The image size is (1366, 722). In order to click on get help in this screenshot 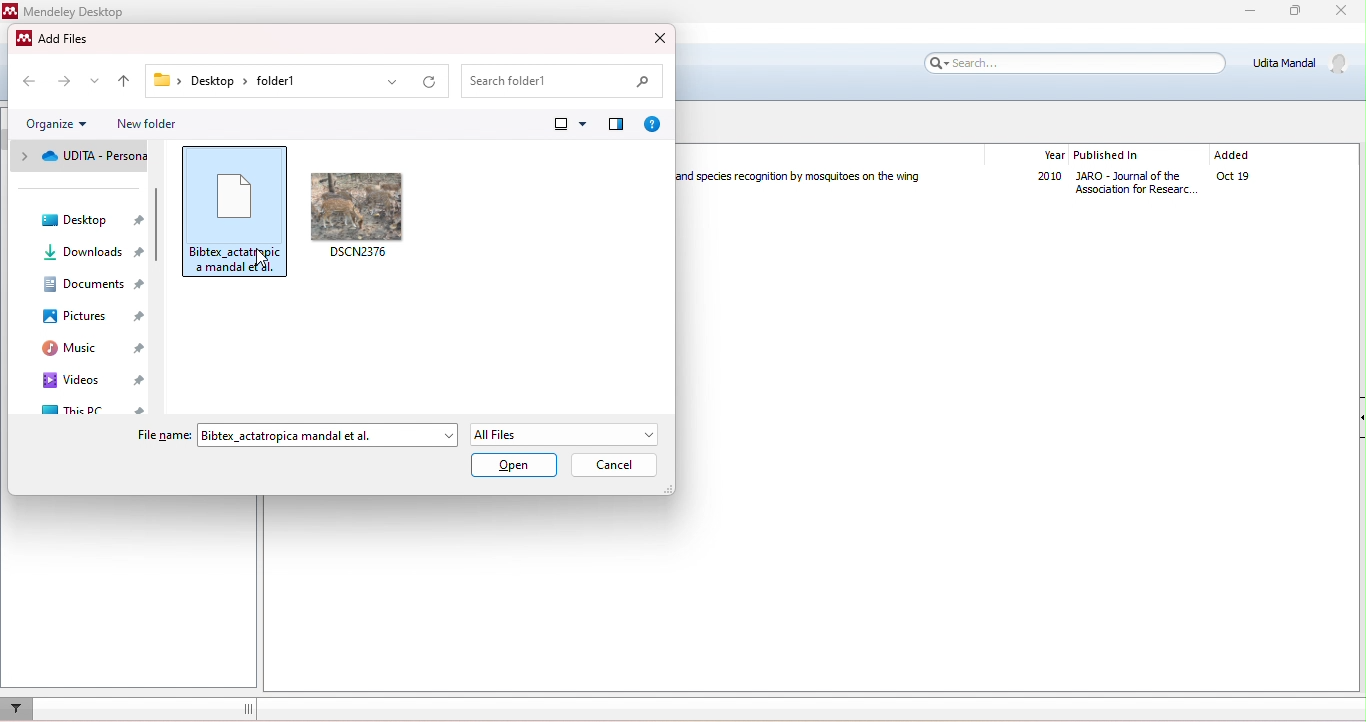, I will do `click(654, 122)`.